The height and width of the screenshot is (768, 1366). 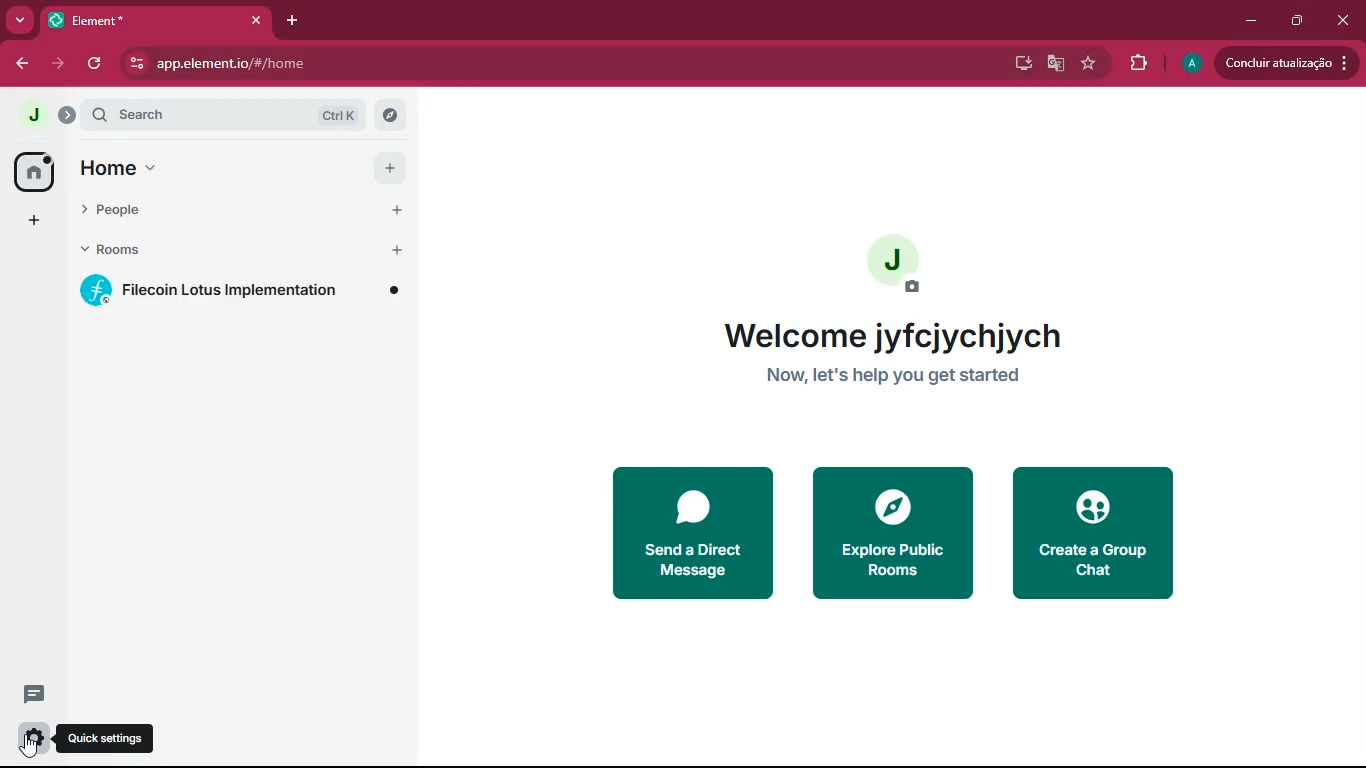 I want to click on explore public rooms, so click(x=892, y=533).